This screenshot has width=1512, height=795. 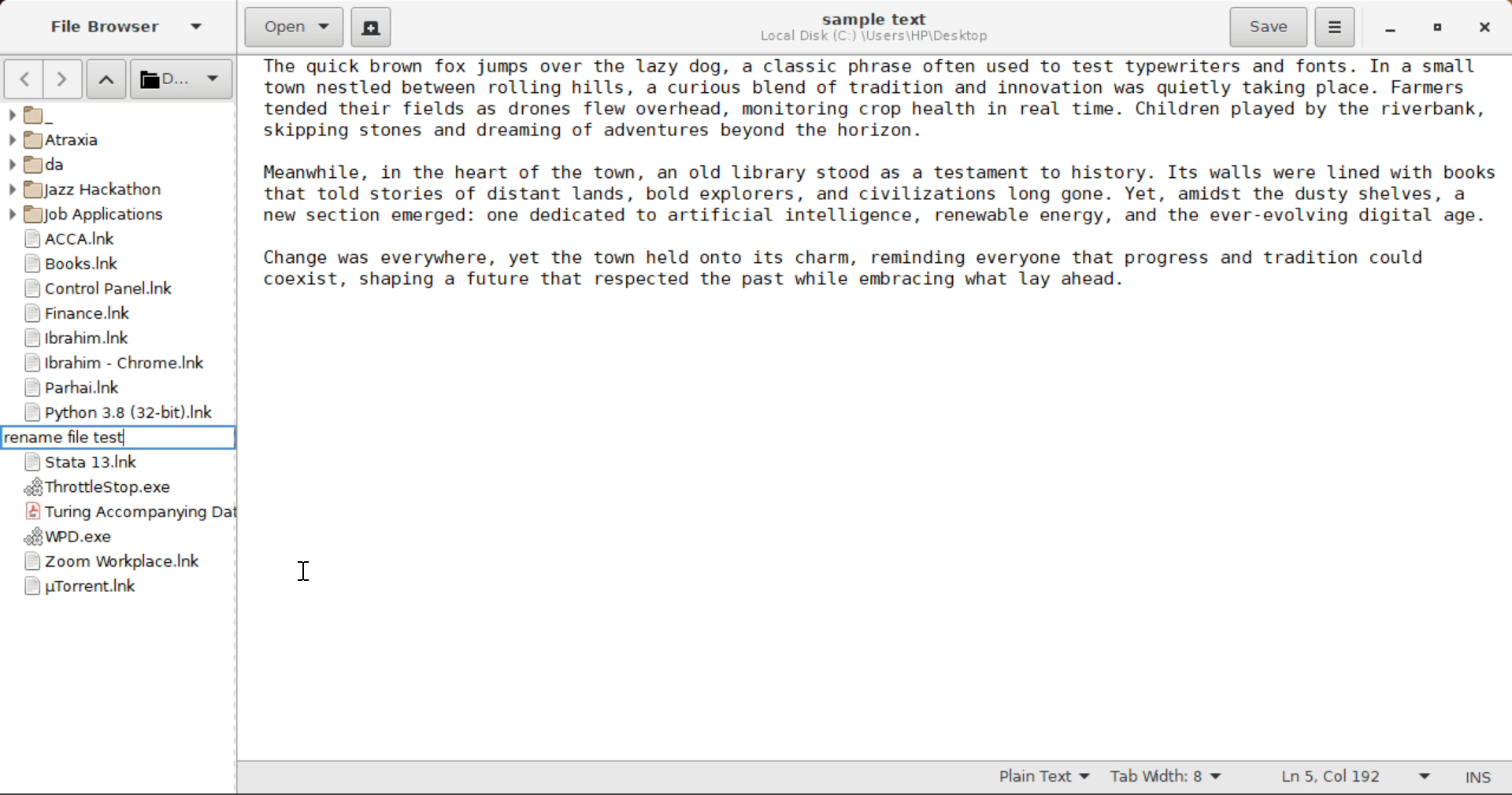 I want to click on Jazz Hackathon Folder, so click(x=105, y=190).